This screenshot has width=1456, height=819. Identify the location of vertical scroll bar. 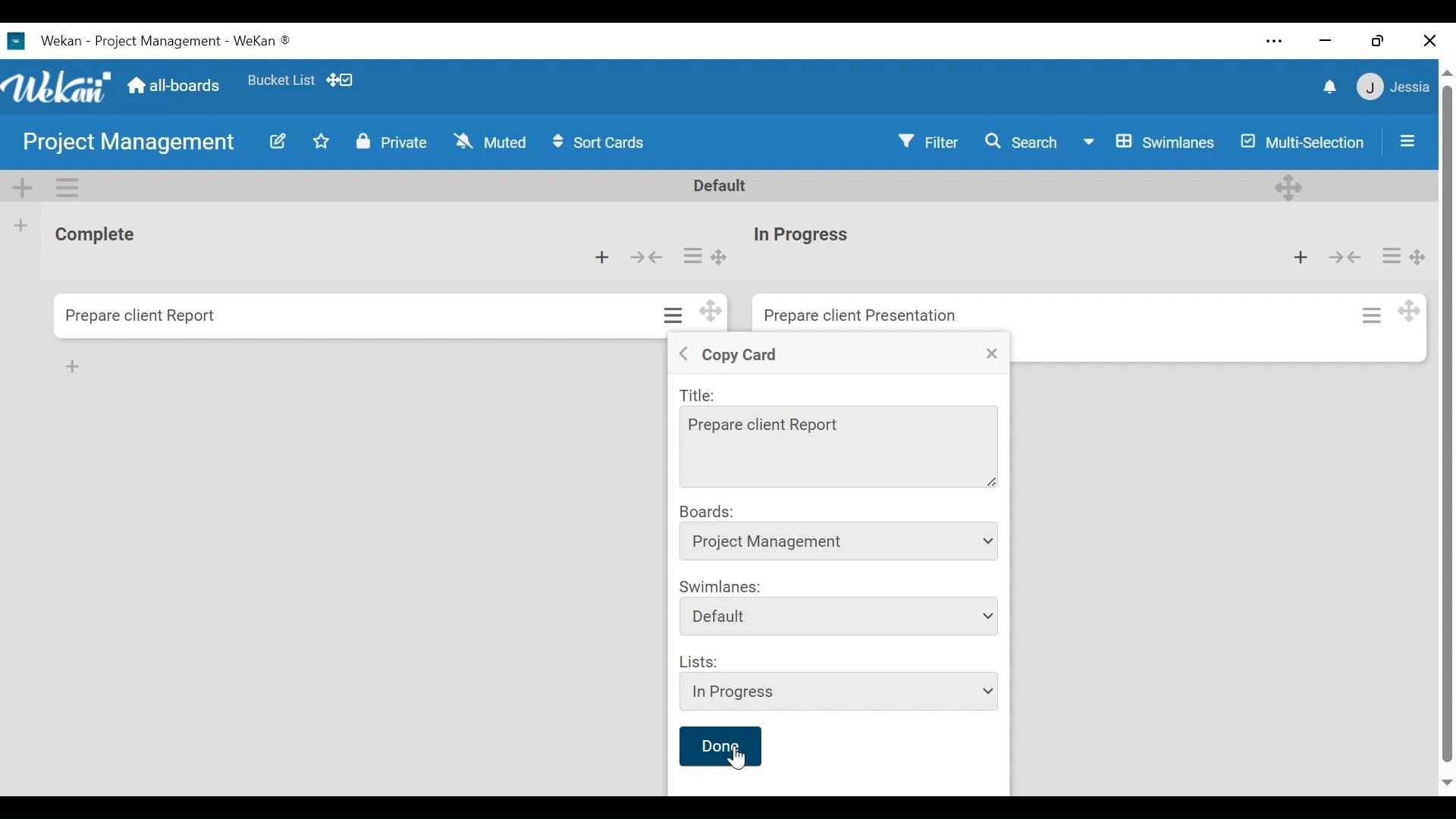
(1447, 427).